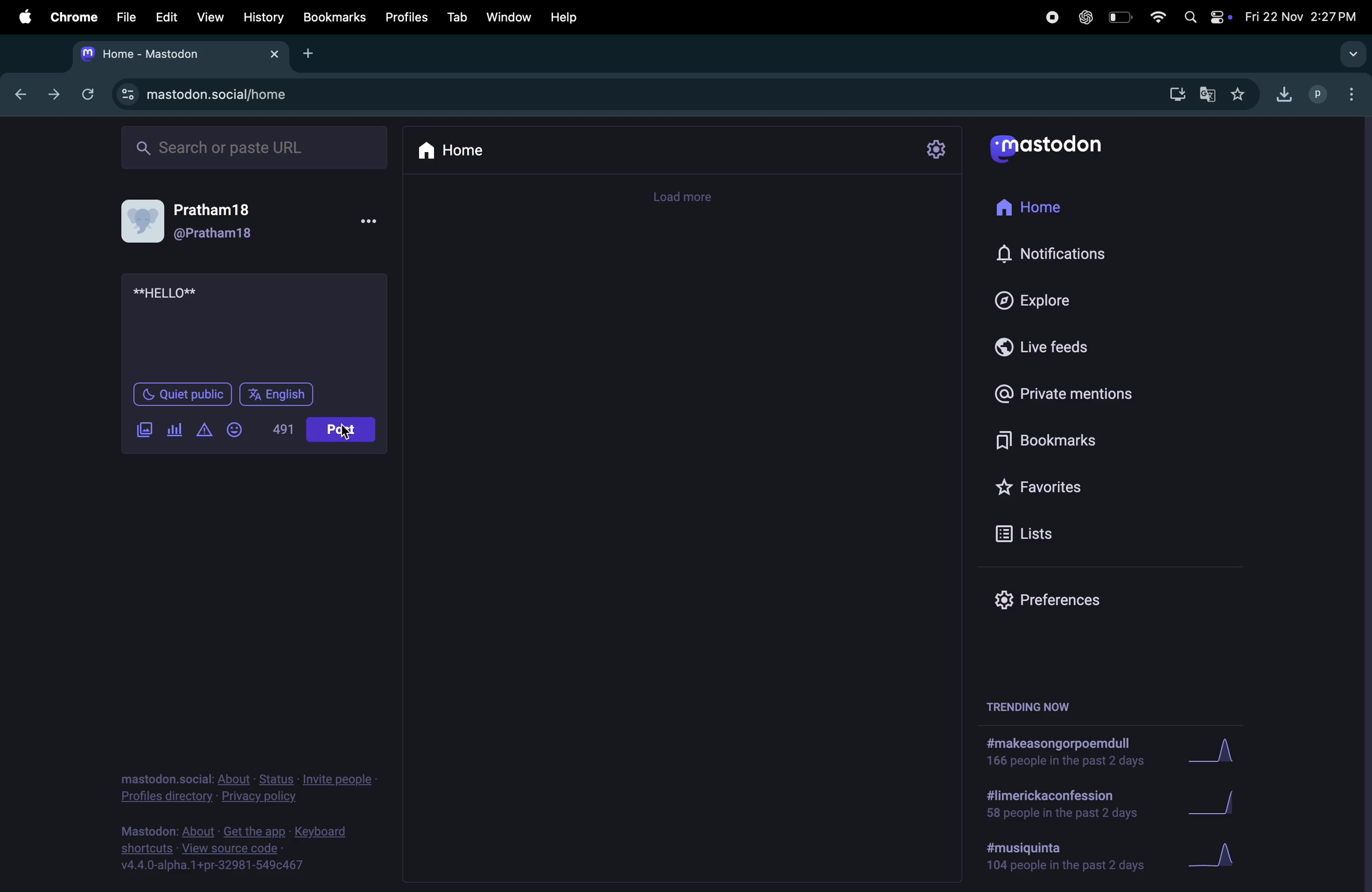 The image size is (1372, 892). Describe the element at coordinates (1056, 346) in the screenshot. I see `live feeds` at that location.